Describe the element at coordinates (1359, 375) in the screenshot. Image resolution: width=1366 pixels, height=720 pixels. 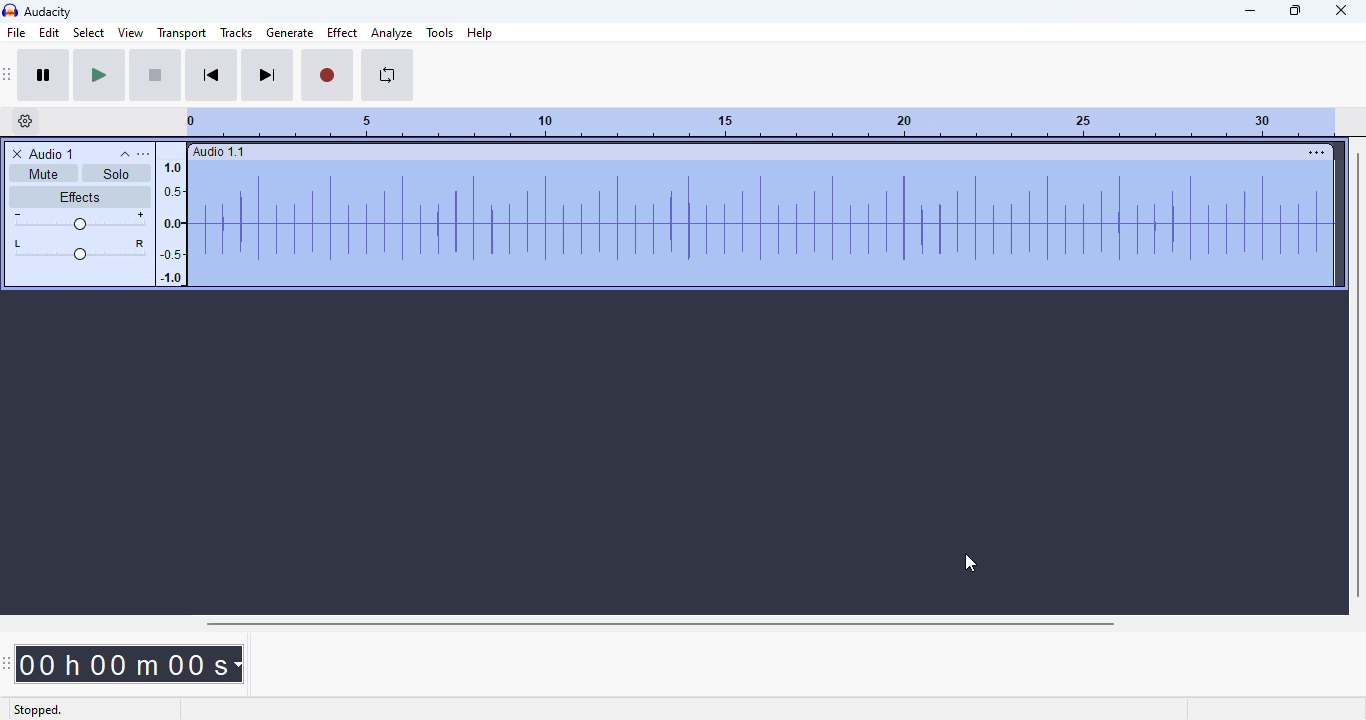
I see `vertical scrollbar` at that location.